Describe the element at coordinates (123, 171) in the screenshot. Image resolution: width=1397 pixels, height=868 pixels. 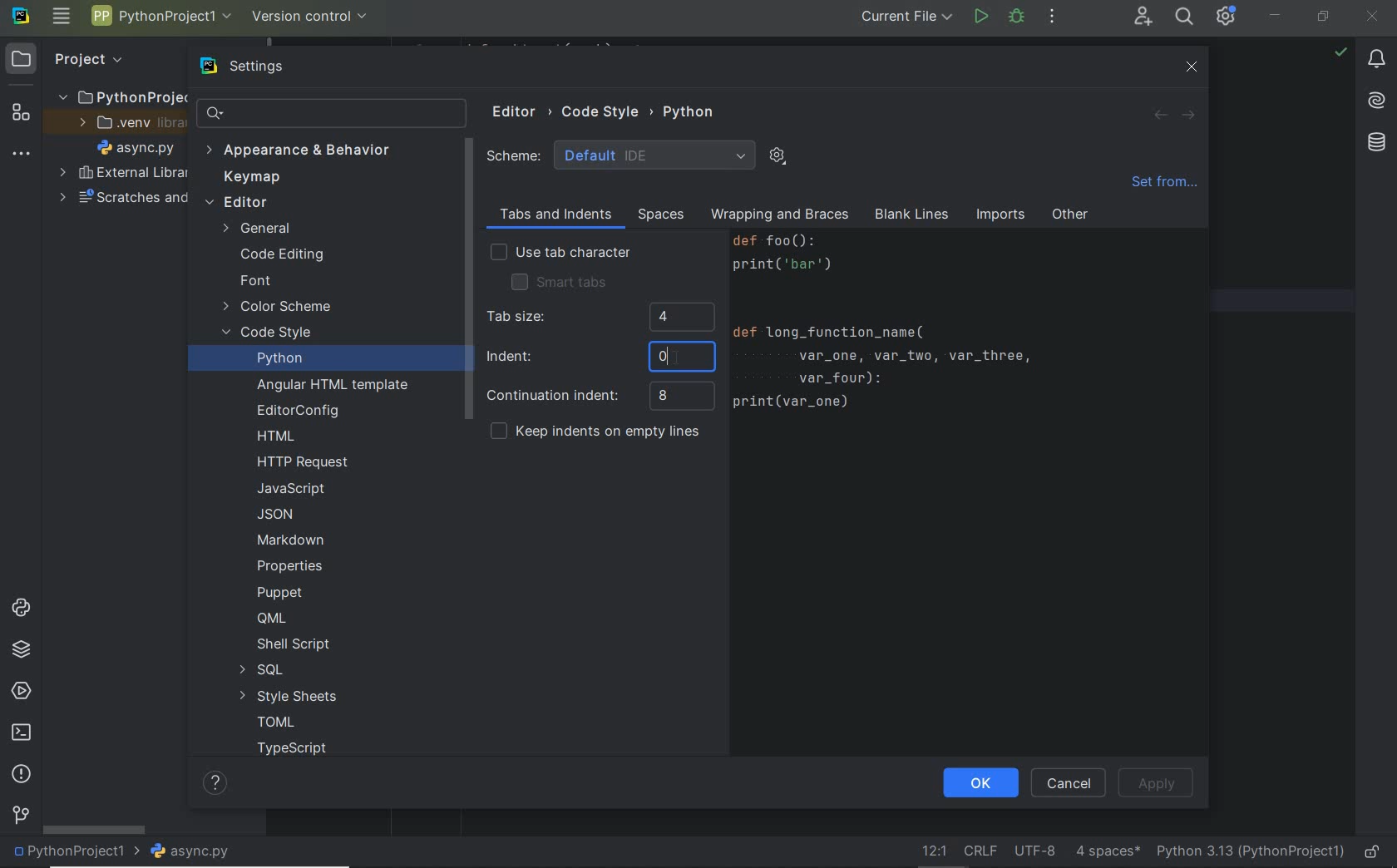
I see `external libraries` at that location.